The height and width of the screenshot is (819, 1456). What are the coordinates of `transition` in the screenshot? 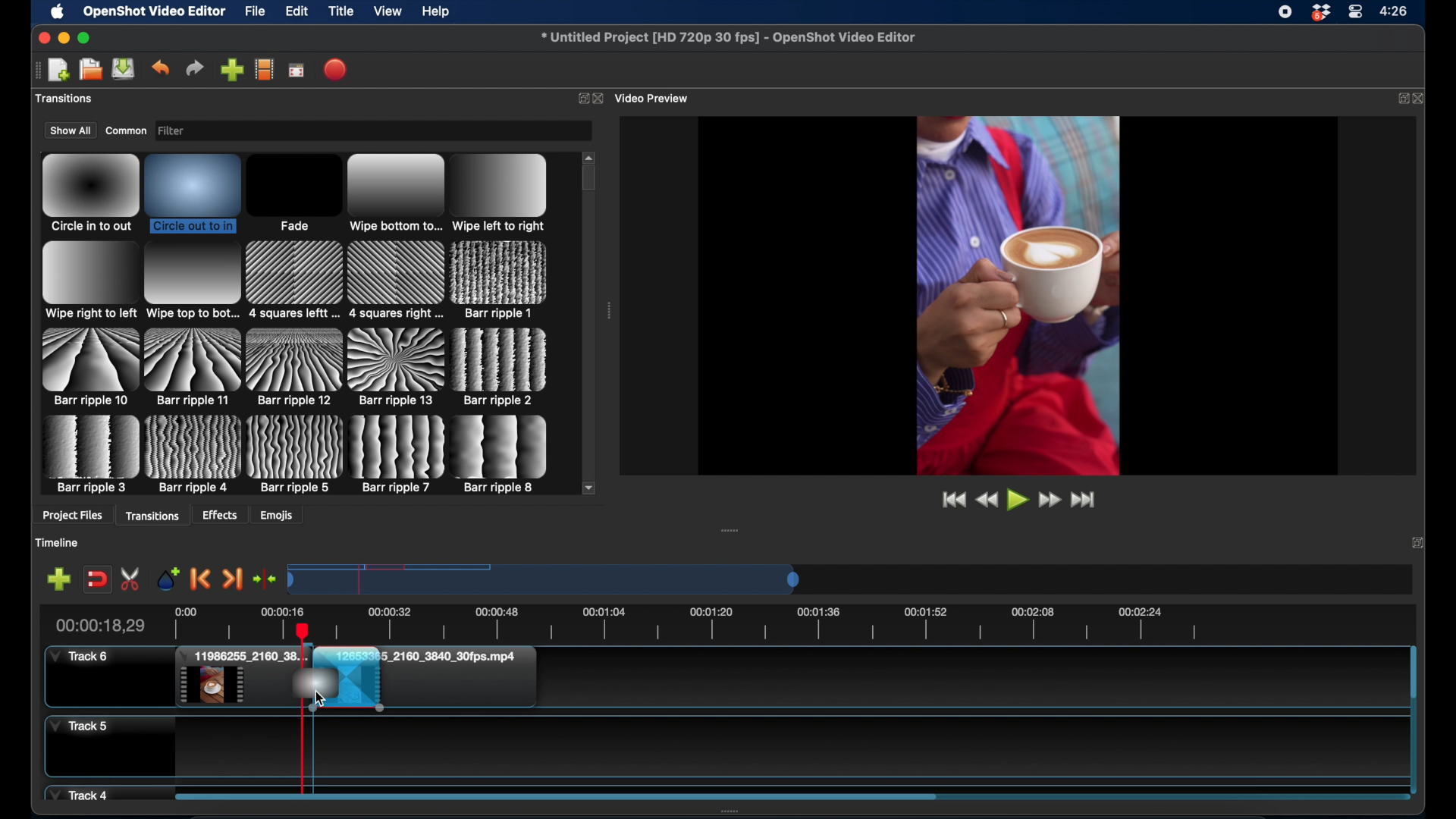 It's located at (193, 192).